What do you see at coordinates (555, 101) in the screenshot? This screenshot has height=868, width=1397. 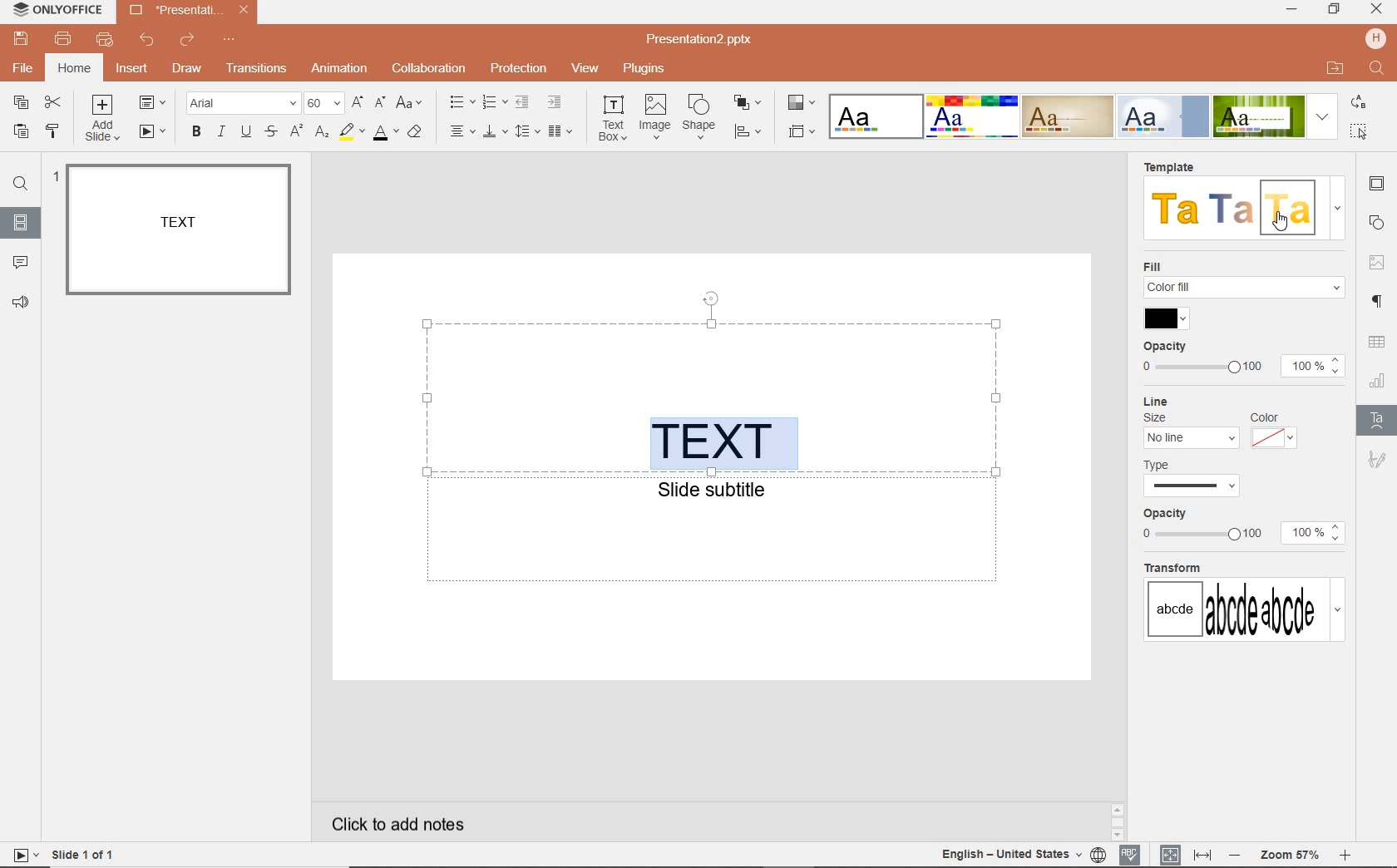 I see `INCREASE INDENT` at bounding box center [555, 101].